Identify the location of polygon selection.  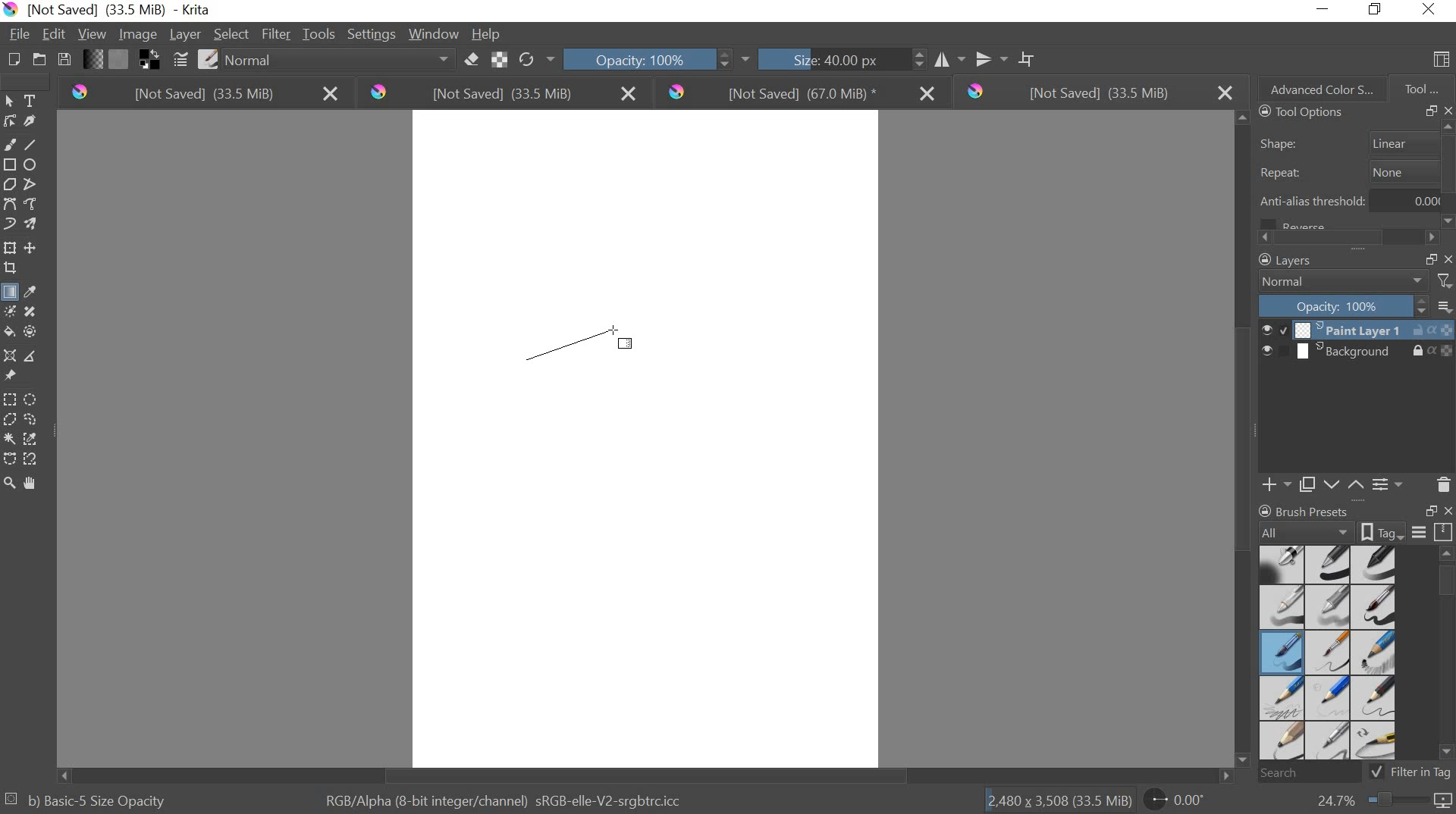
(9, 420).